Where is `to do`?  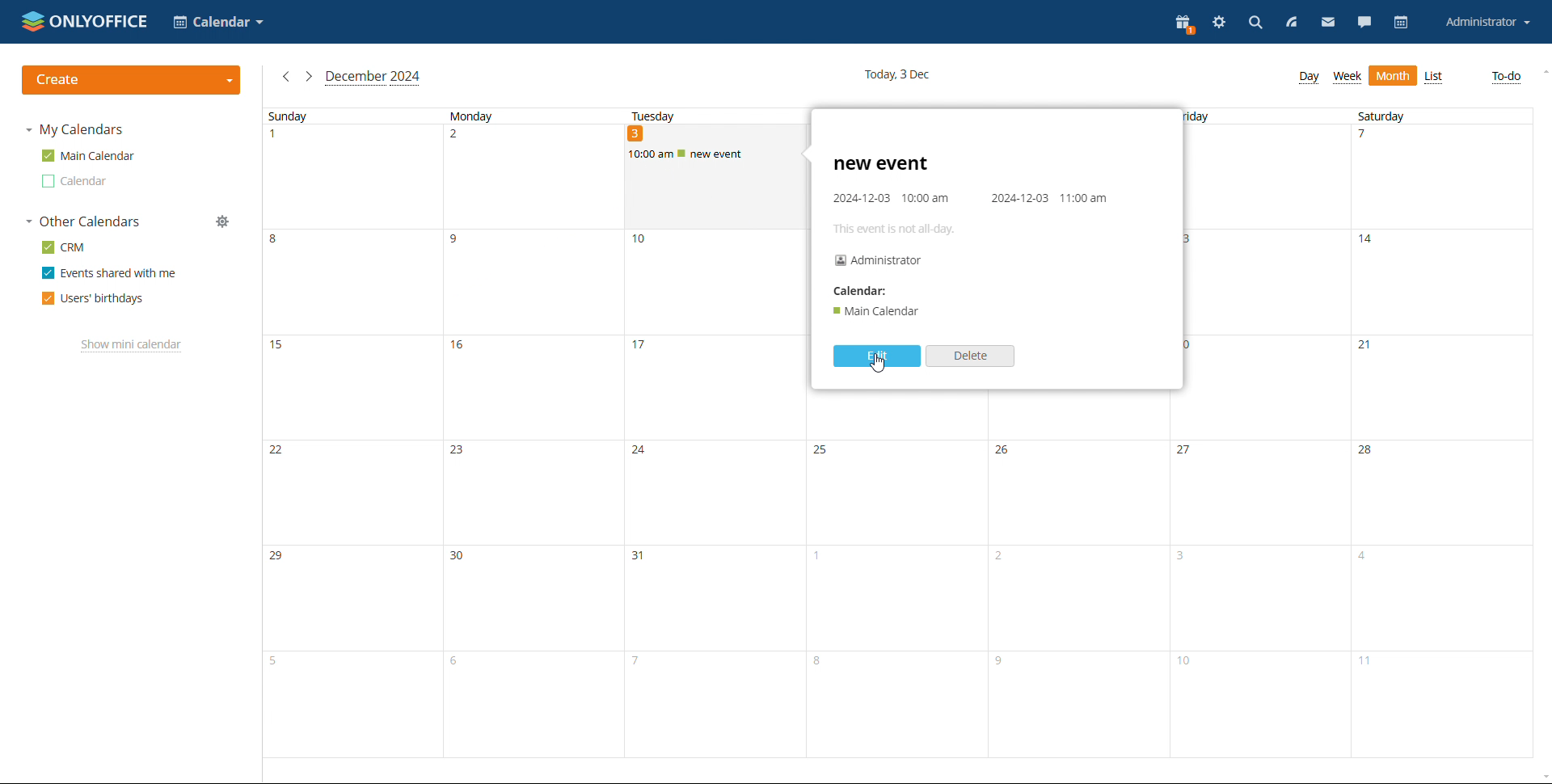
to do is located at coordinates (1508, 78).